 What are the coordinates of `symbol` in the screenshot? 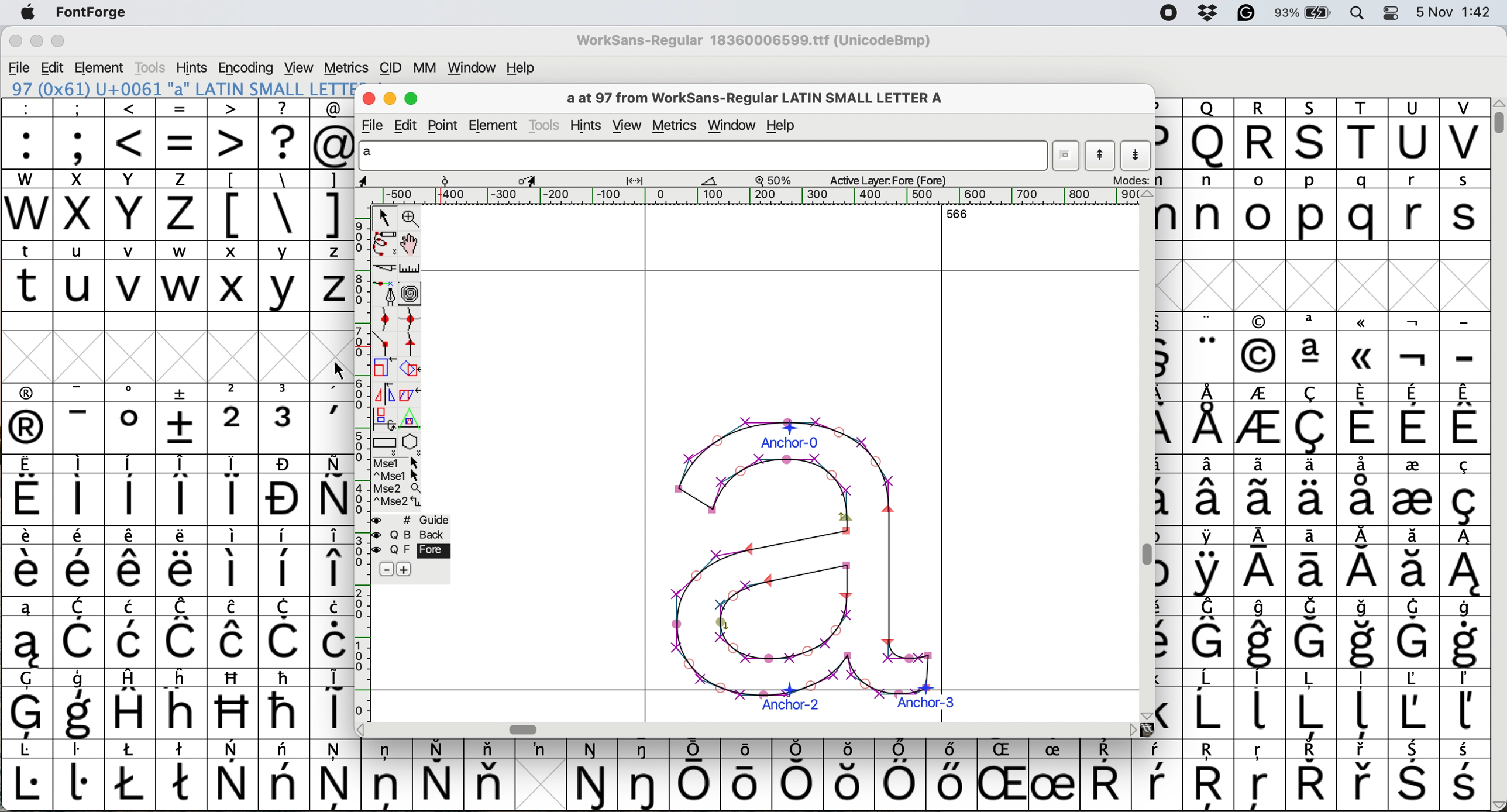 It's located at (284, 562).